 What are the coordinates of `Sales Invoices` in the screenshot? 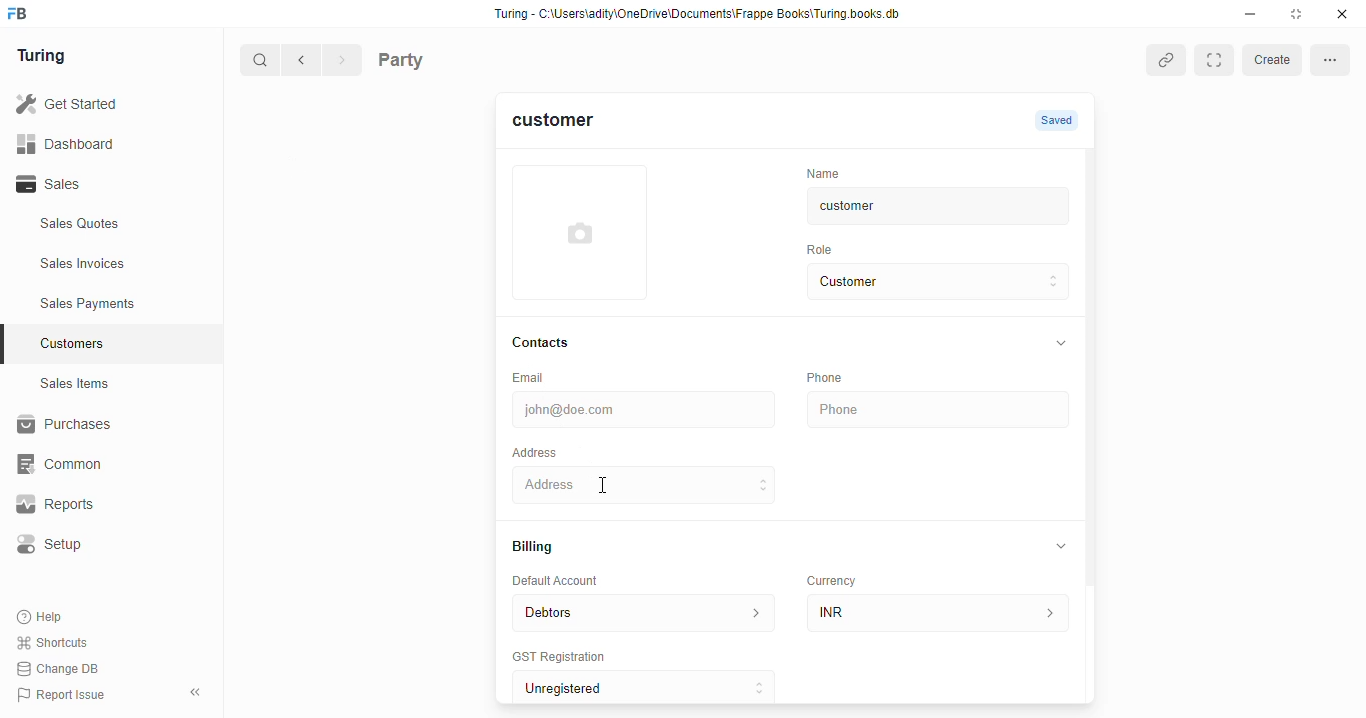 It's located at (117, 264).